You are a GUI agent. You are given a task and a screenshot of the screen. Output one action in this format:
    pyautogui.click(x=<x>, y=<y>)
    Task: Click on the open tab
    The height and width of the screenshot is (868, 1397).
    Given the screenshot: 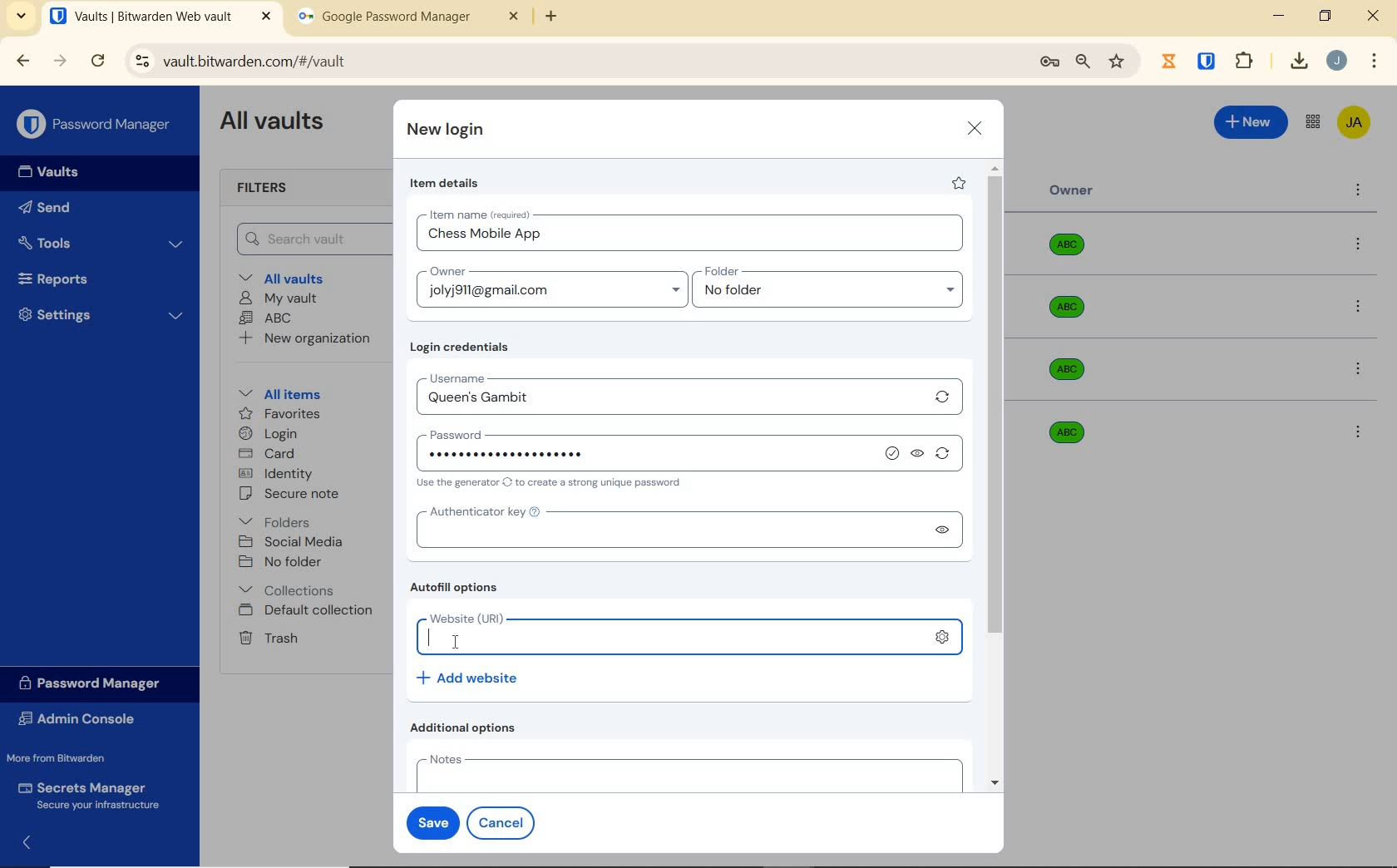 What is the action you would take?
    pyautogui.click(x=160, y=17)
    